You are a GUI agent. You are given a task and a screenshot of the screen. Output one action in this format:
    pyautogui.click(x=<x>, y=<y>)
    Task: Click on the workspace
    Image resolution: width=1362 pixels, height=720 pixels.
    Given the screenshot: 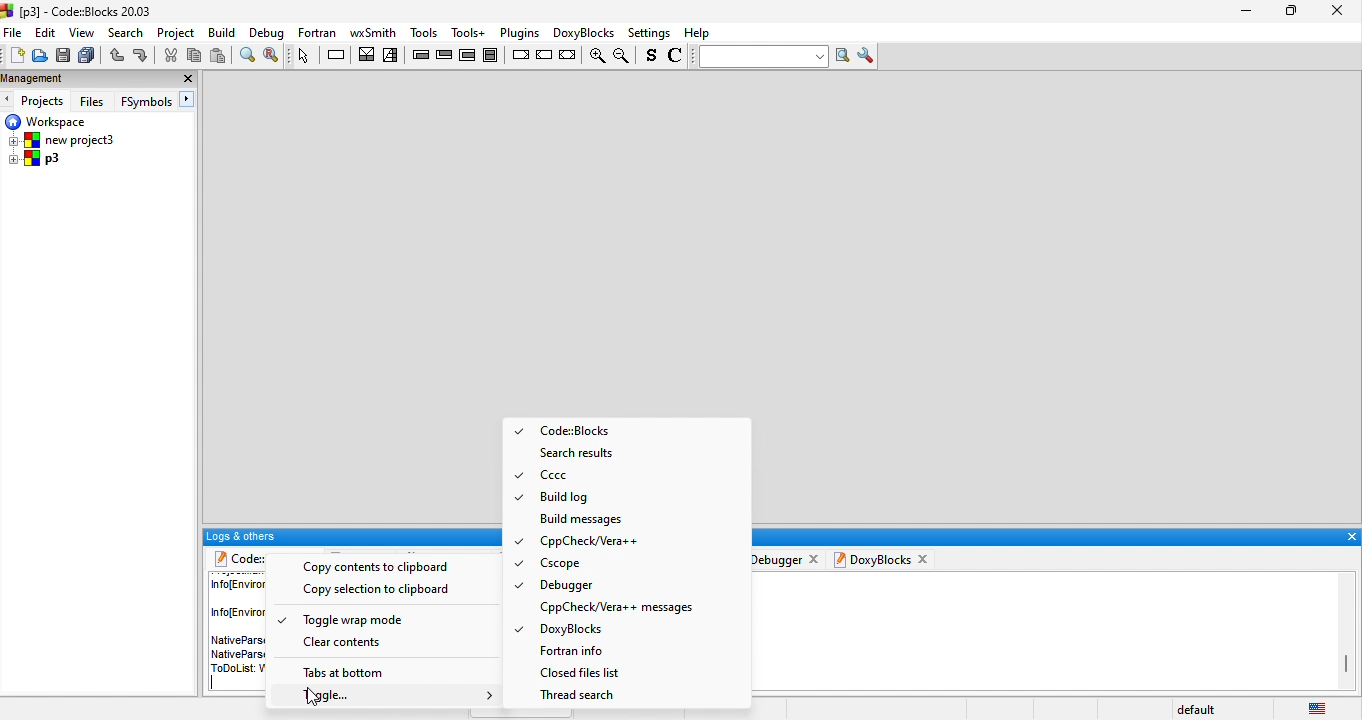 What is the action you would take?
    pyautogui.click(x=48, y=121)
    